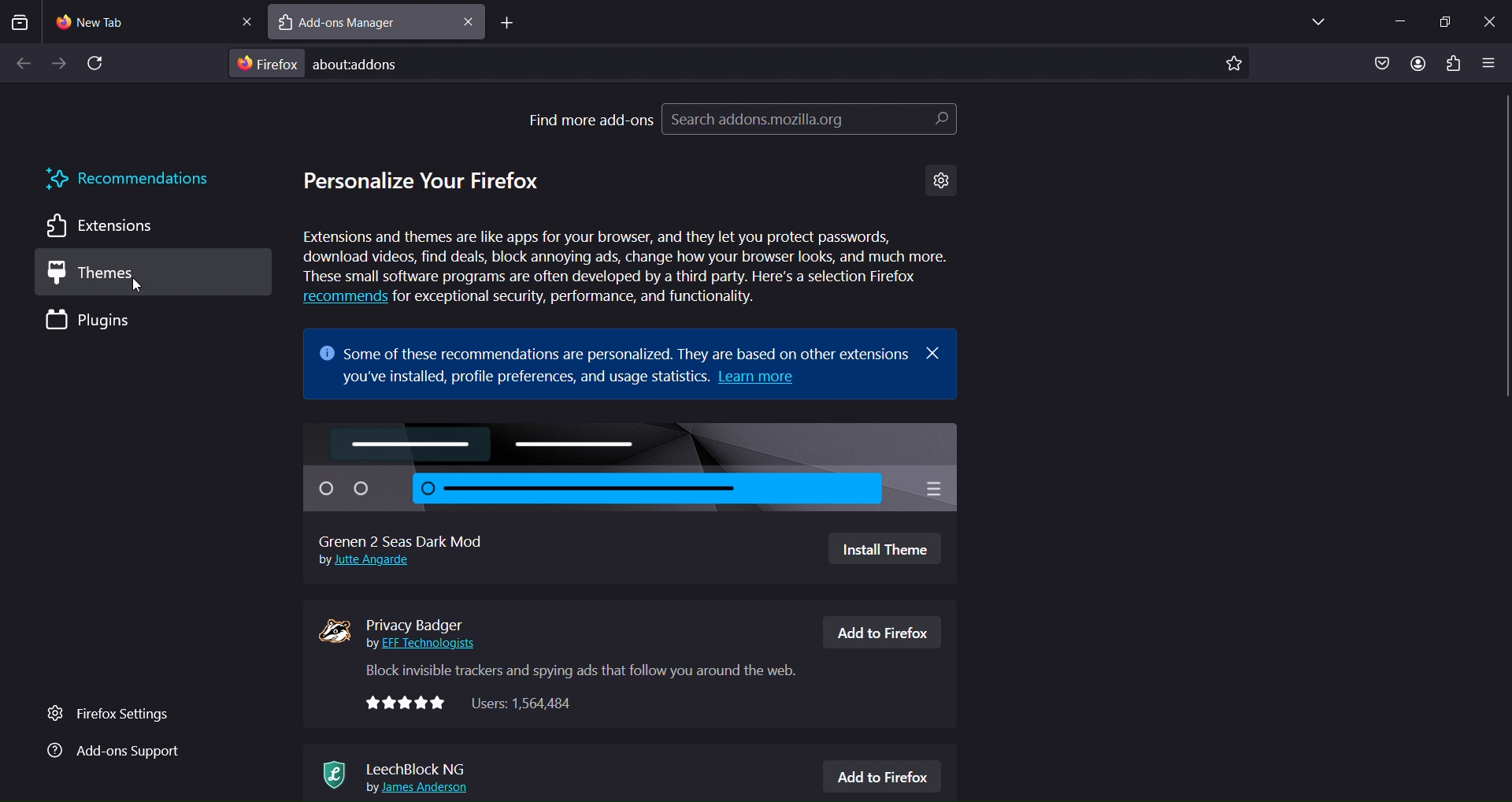 The width and height of the screenshot is (1512, 802). Describe the element at coordinates (242, 20) in the screenshot. I see `close` at that location.